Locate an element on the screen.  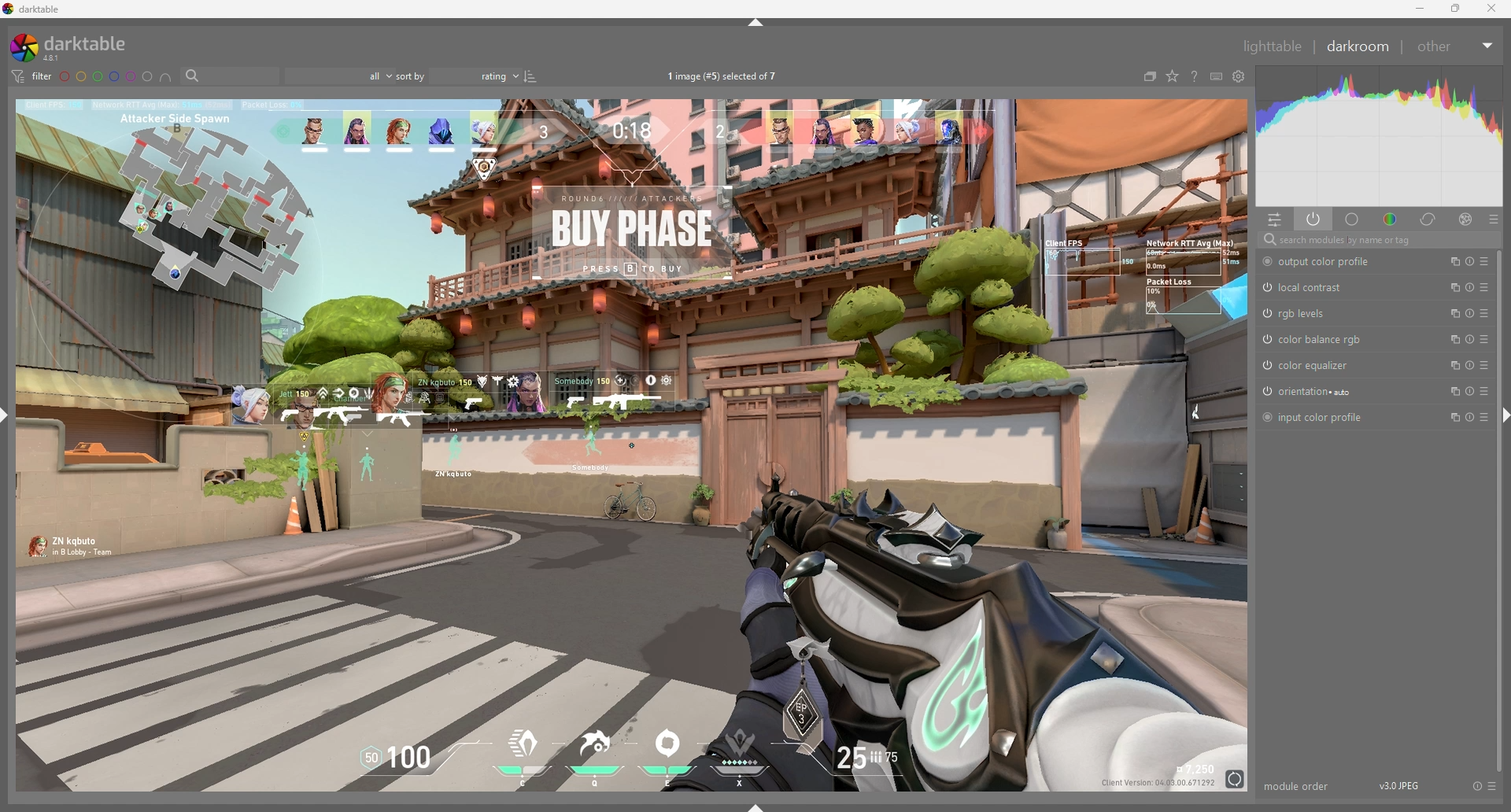
presets is located at coordinates (1485, 339).